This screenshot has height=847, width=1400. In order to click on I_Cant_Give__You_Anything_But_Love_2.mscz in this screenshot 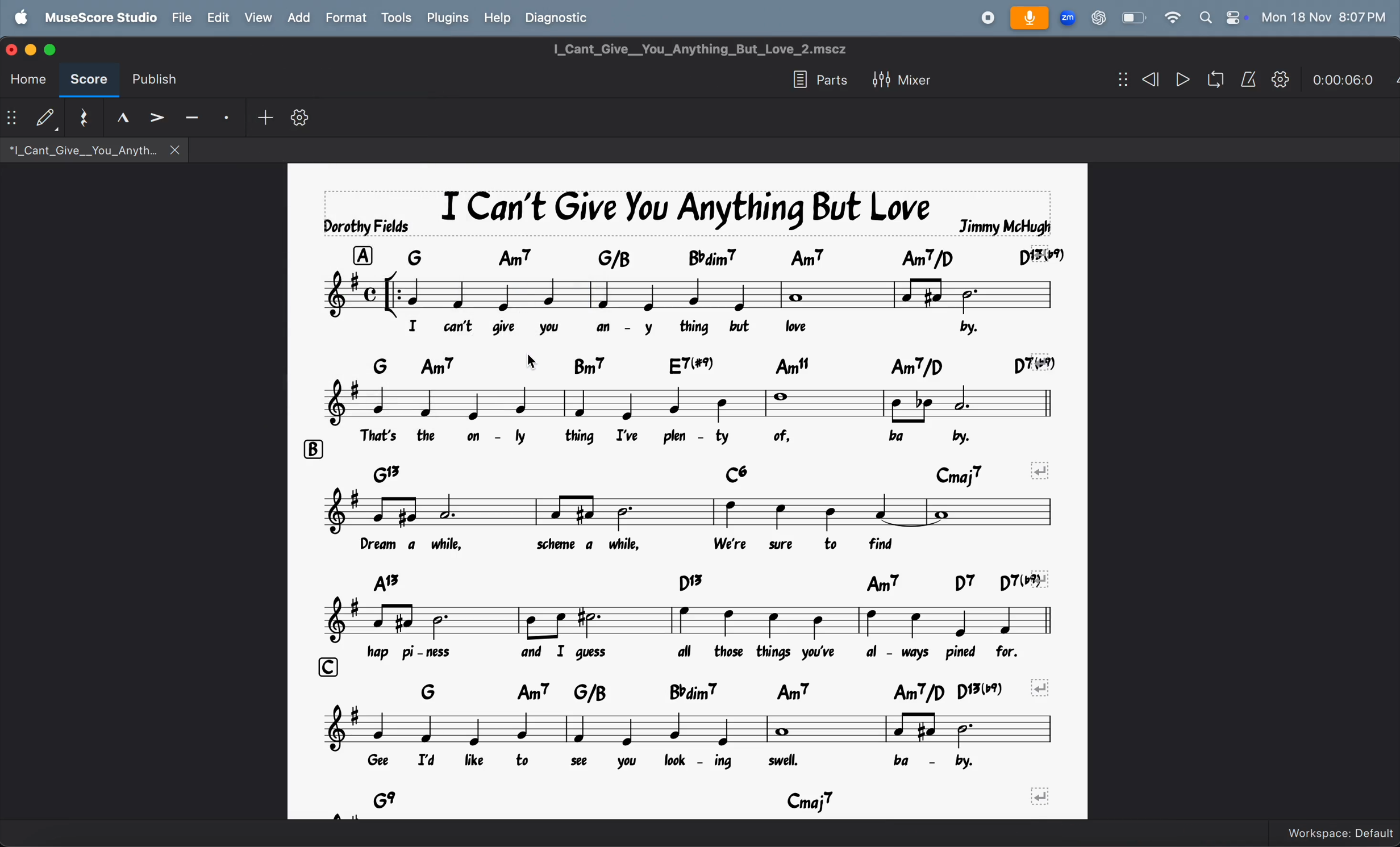, I will do `click(700, 49)`.